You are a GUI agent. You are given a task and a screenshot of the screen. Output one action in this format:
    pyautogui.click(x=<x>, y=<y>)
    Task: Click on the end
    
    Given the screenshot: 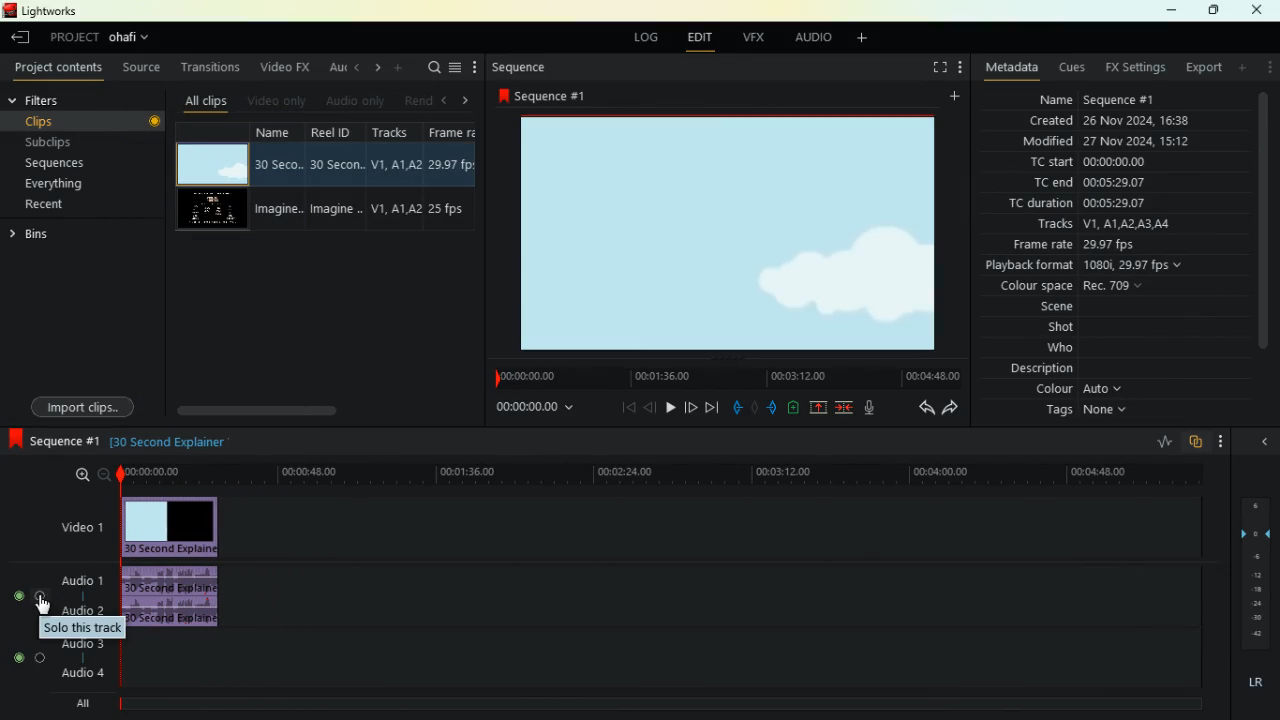 What is the action you would take?
    pyautogui.click(x=711, y=408)
    